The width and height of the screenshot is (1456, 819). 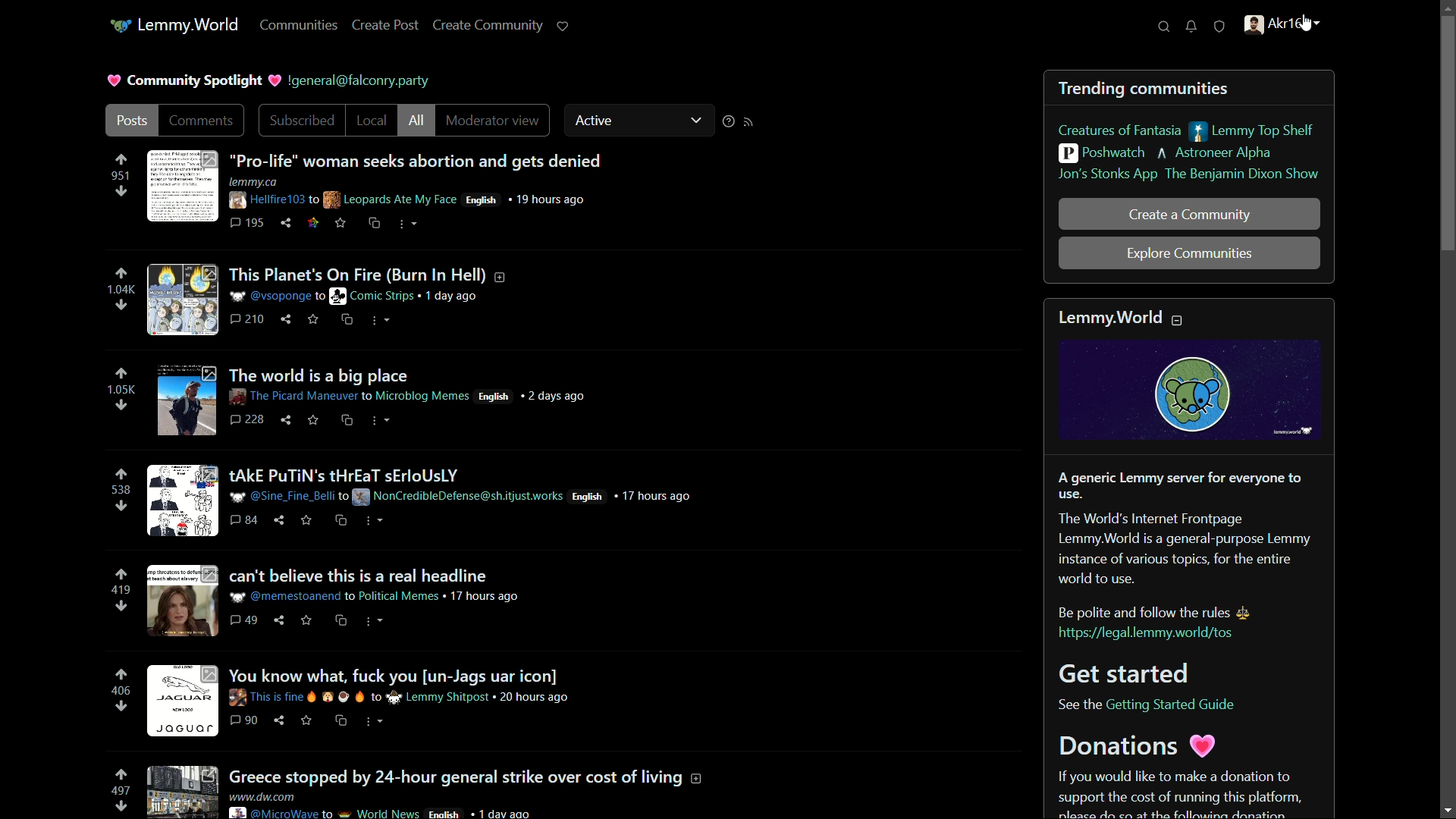 I want to click on communities, so click(x=301, y=25).